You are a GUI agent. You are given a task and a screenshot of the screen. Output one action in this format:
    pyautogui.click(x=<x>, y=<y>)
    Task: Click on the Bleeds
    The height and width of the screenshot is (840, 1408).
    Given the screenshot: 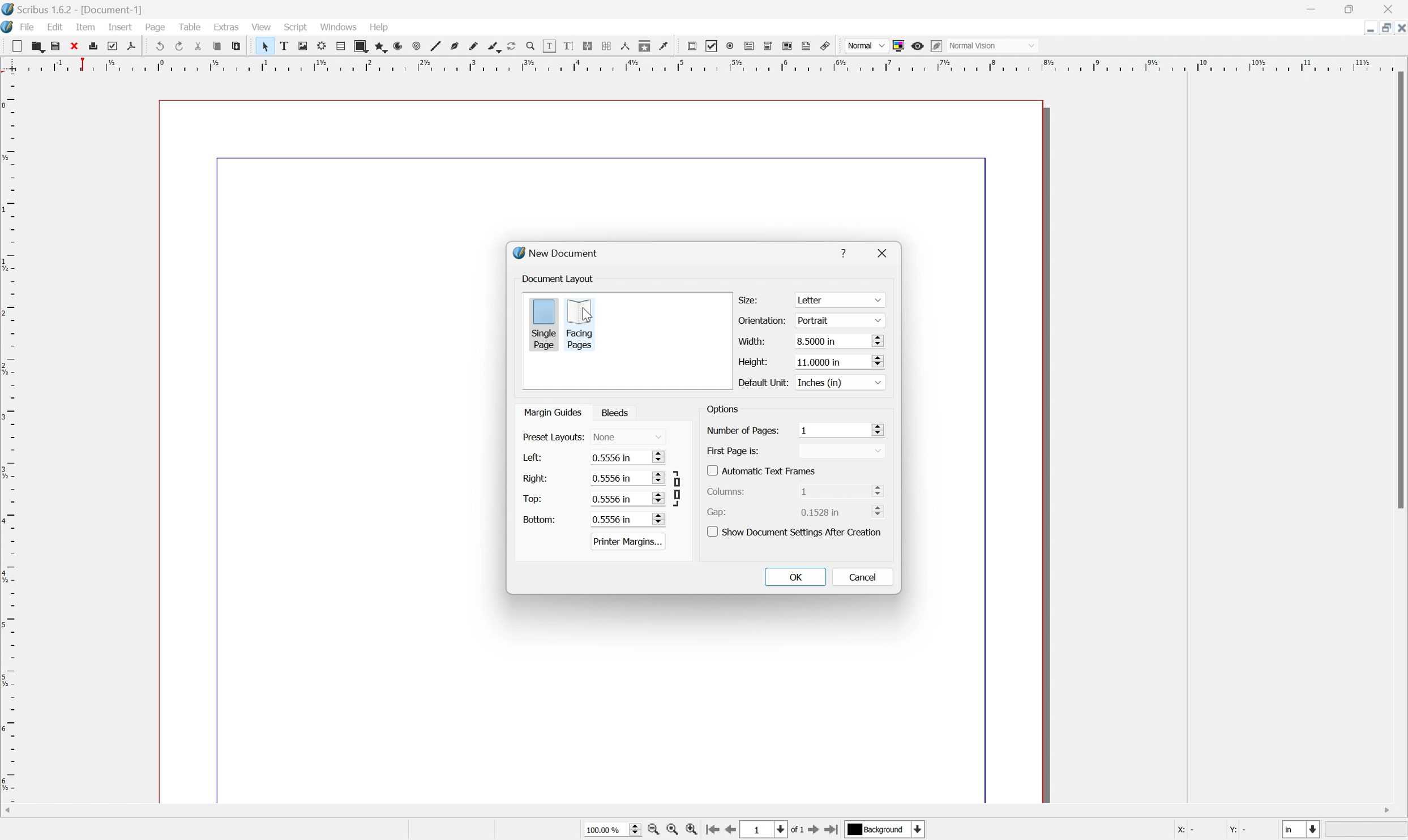 What is the action you would take?
    pyautogui.click(x=618, y=413)
    